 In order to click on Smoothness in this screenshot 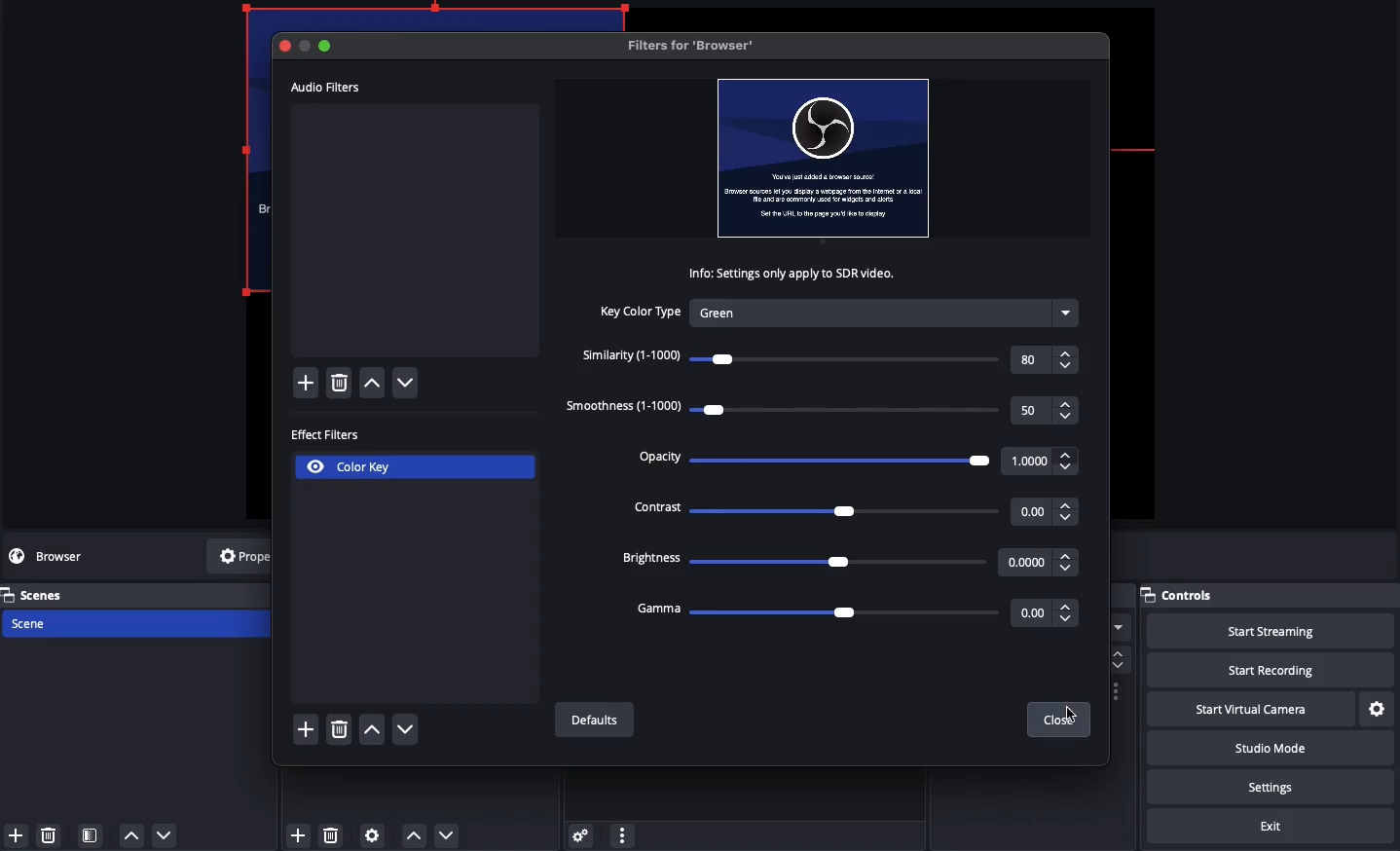, I will do `click(819, 411)`.